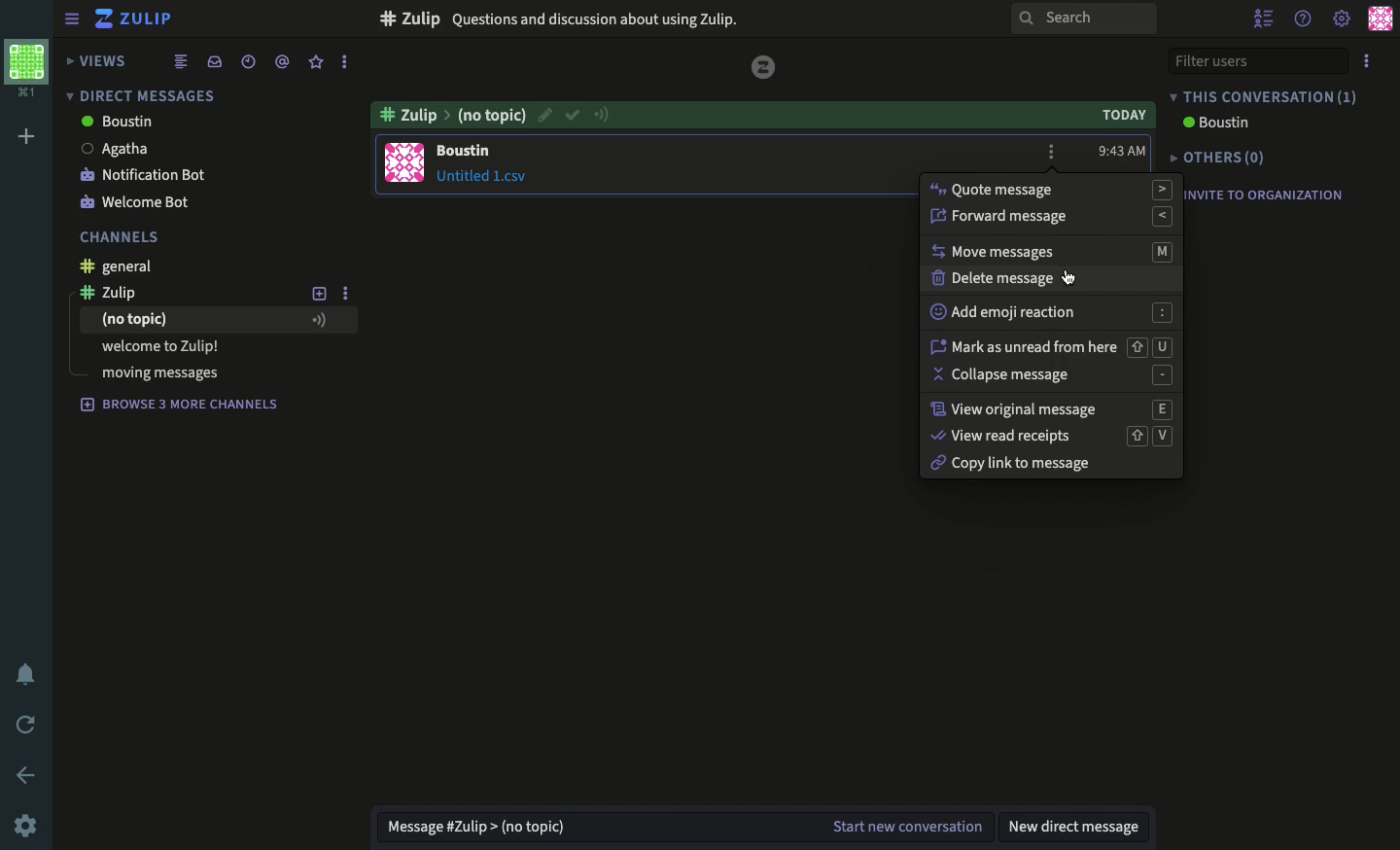 Image resolution: width=1400 pixels, height=850 pixels. I want to click on zulip, so click(125, 292).